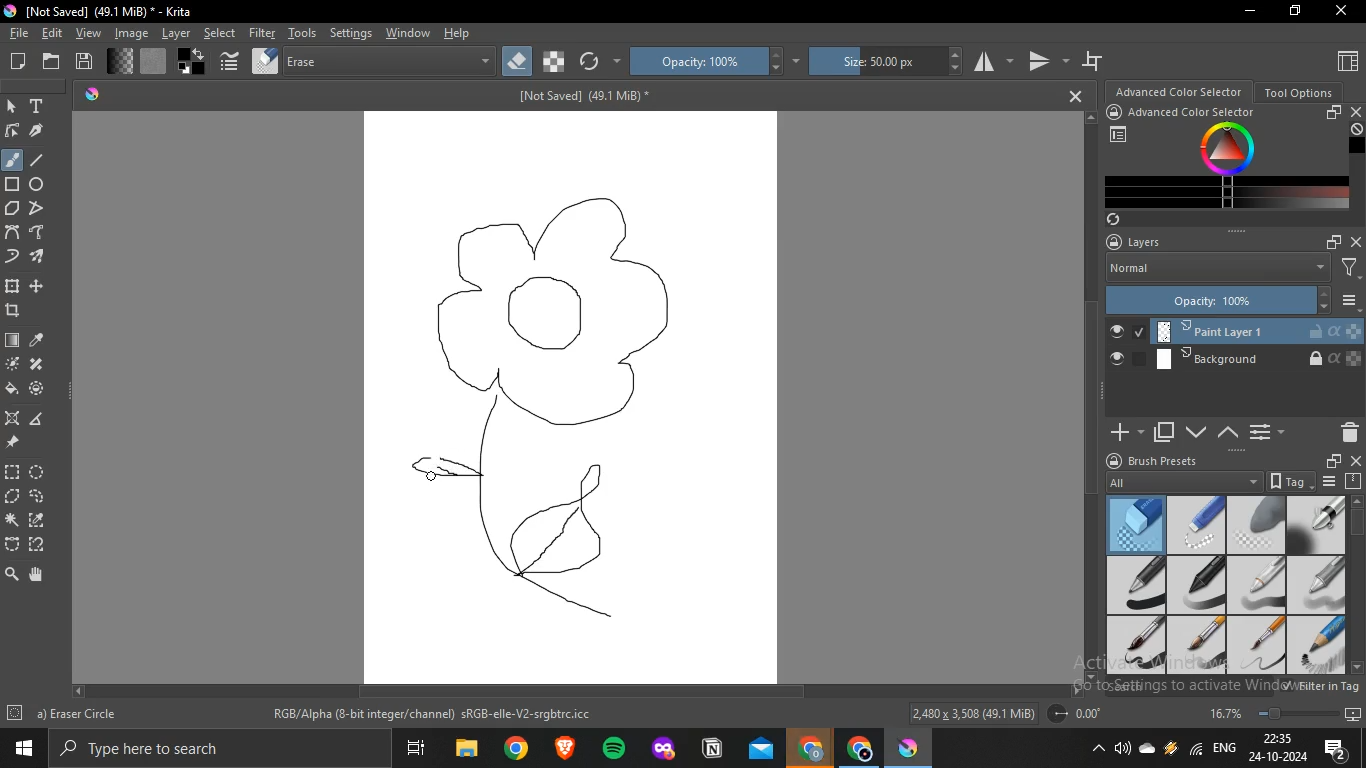 This screenshot has height=768, width=1366. What do you see at coordinates (1293, 13) in the screenshot?
I see `Restore` at bounding box center [1293, 13].